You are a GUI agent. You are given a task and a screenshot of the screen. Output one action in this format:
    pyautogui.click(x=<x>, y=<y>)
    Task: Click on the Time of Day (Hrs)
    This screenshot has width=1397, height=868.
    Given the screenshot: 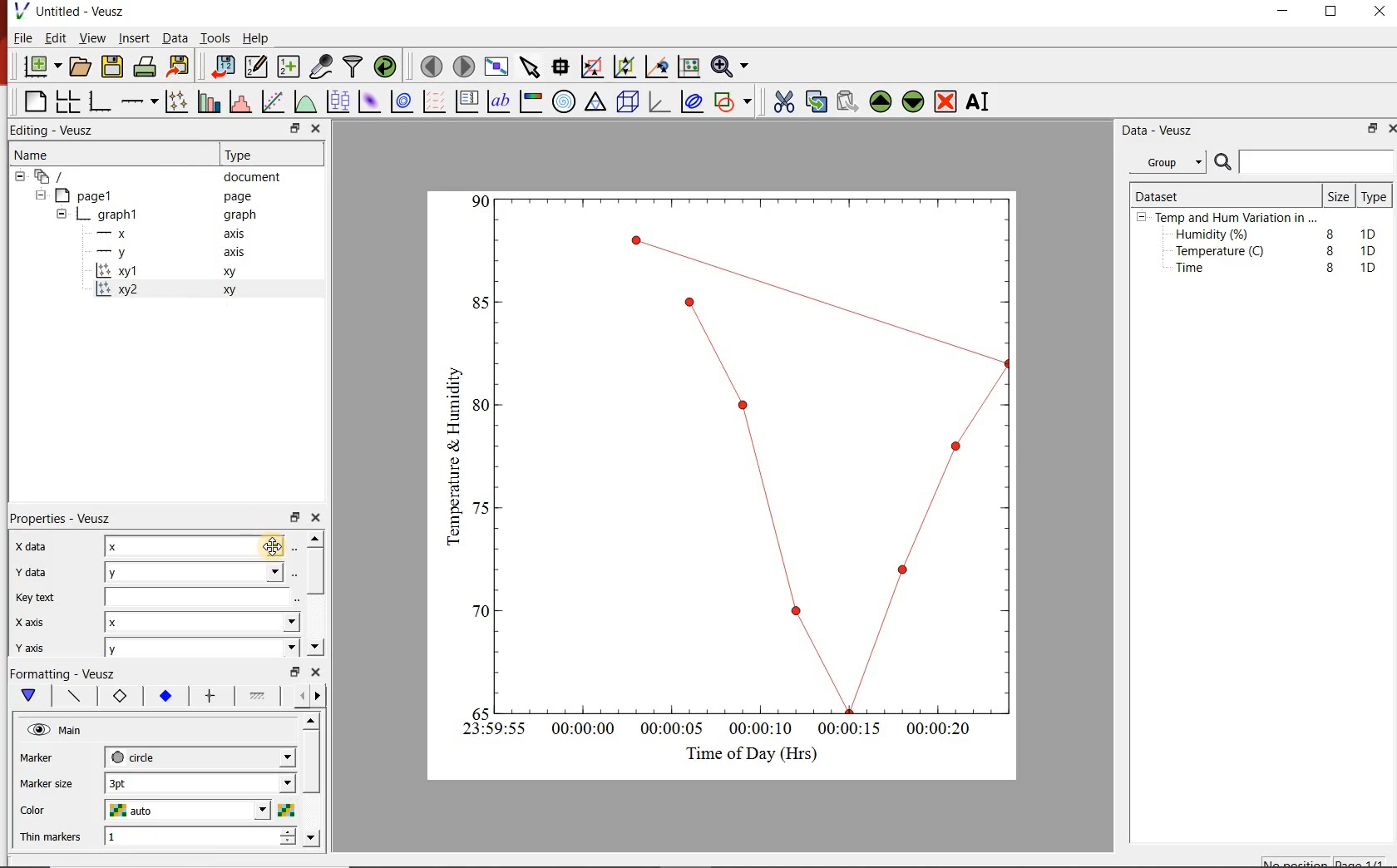 What is the action you would take?
    pyautogui.click(x=745, y=753)
    